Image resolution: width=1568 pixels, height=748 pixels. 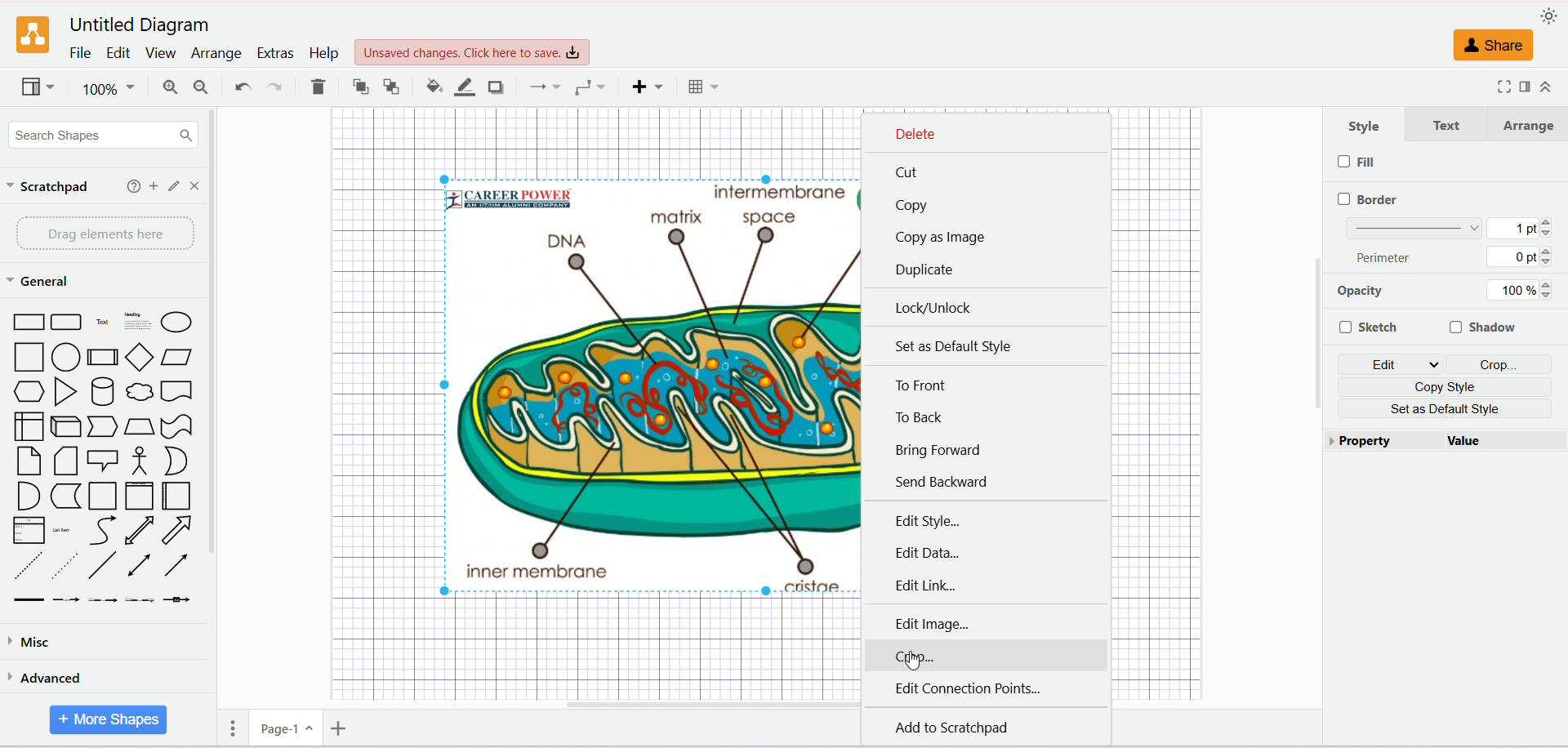 What do you see at coordinates (287, 728) in the screenshot?
I see `page-1` at bounding box center [287, 728].